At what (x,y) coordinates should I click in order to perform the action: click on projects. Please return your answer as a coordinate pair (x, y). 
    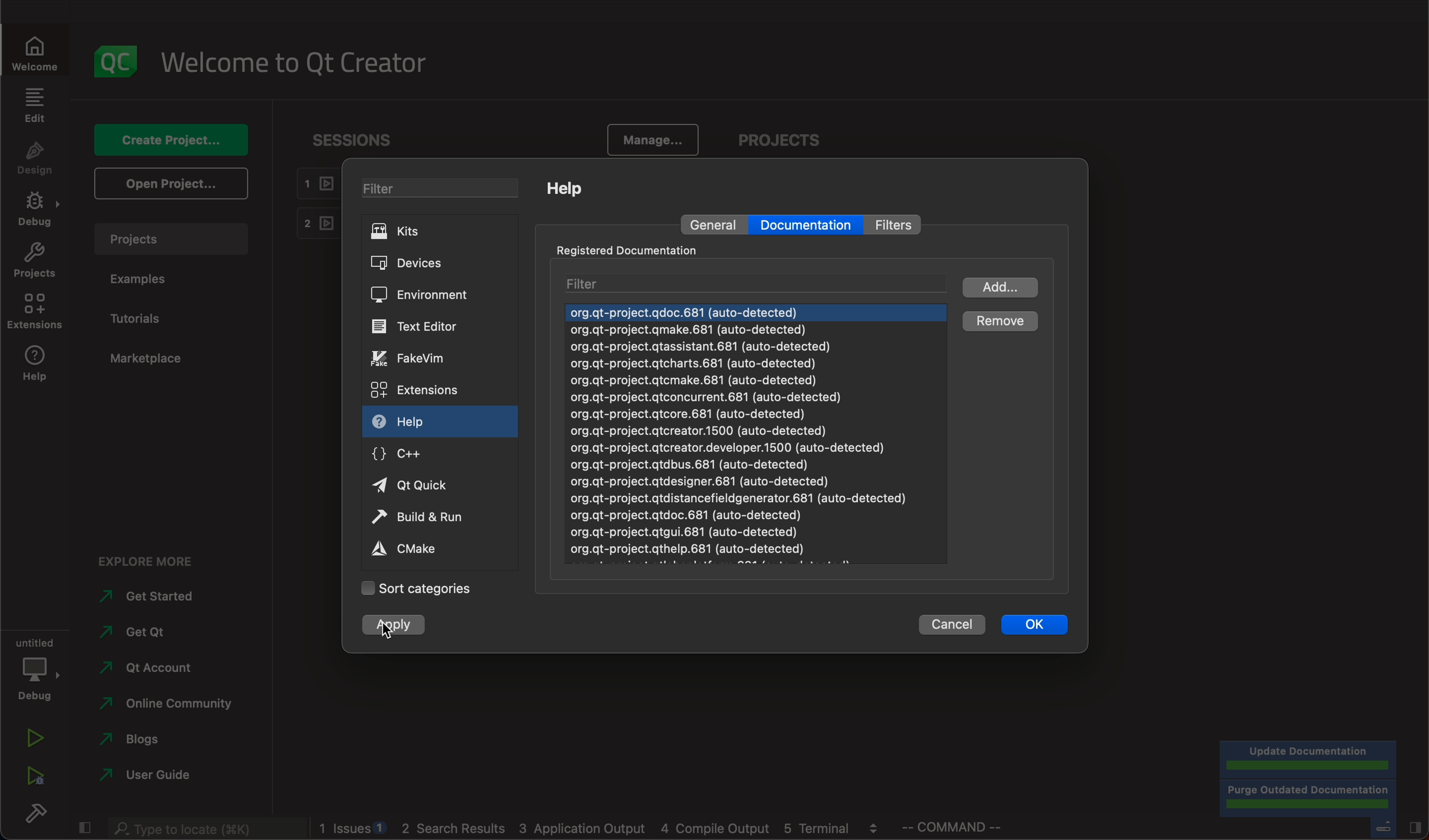
    Looking at the image, I should click on (34, 259).